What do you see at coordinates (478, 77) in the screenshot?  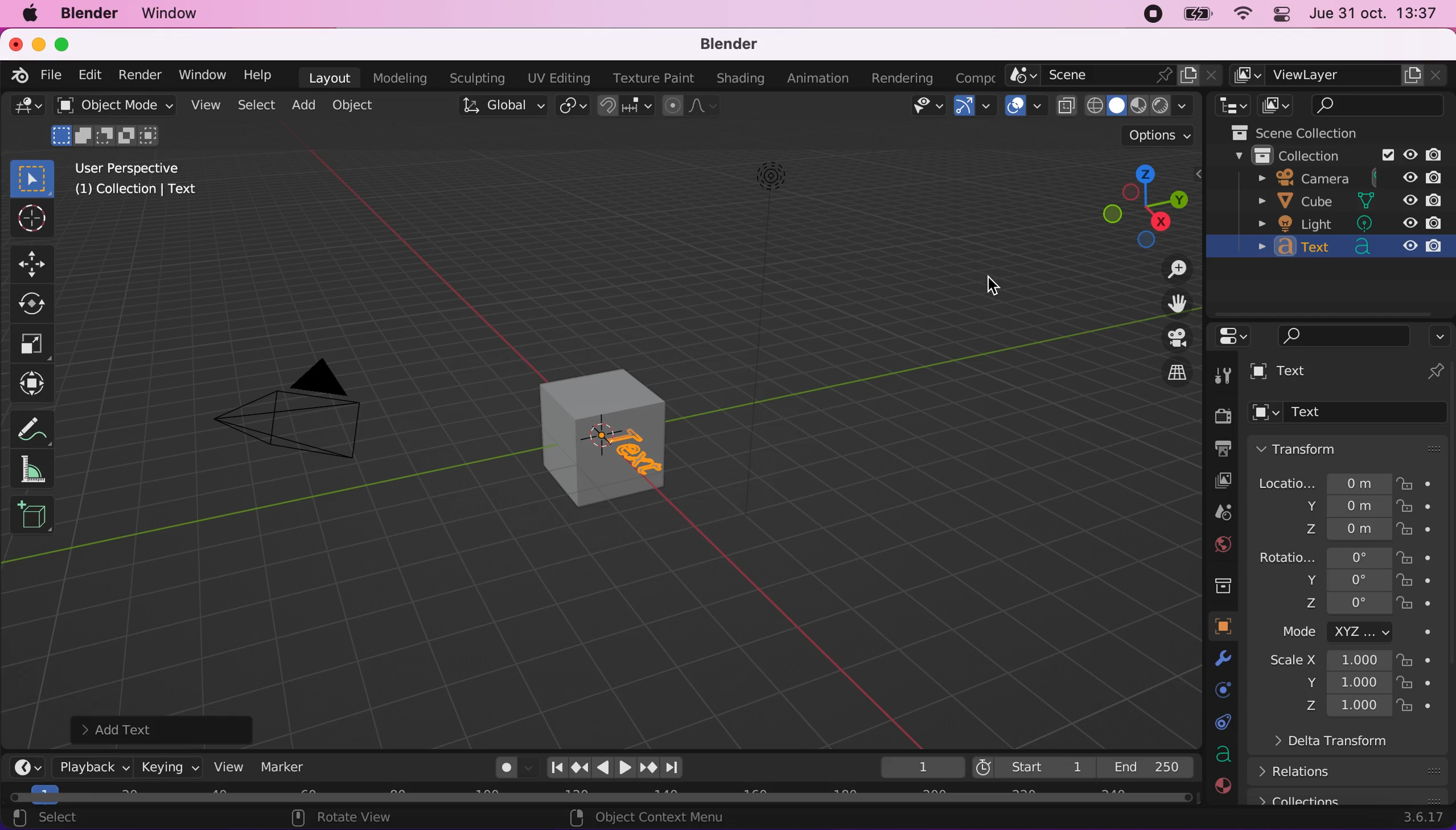 I see `sculpting` at bounding box center [478, 77].